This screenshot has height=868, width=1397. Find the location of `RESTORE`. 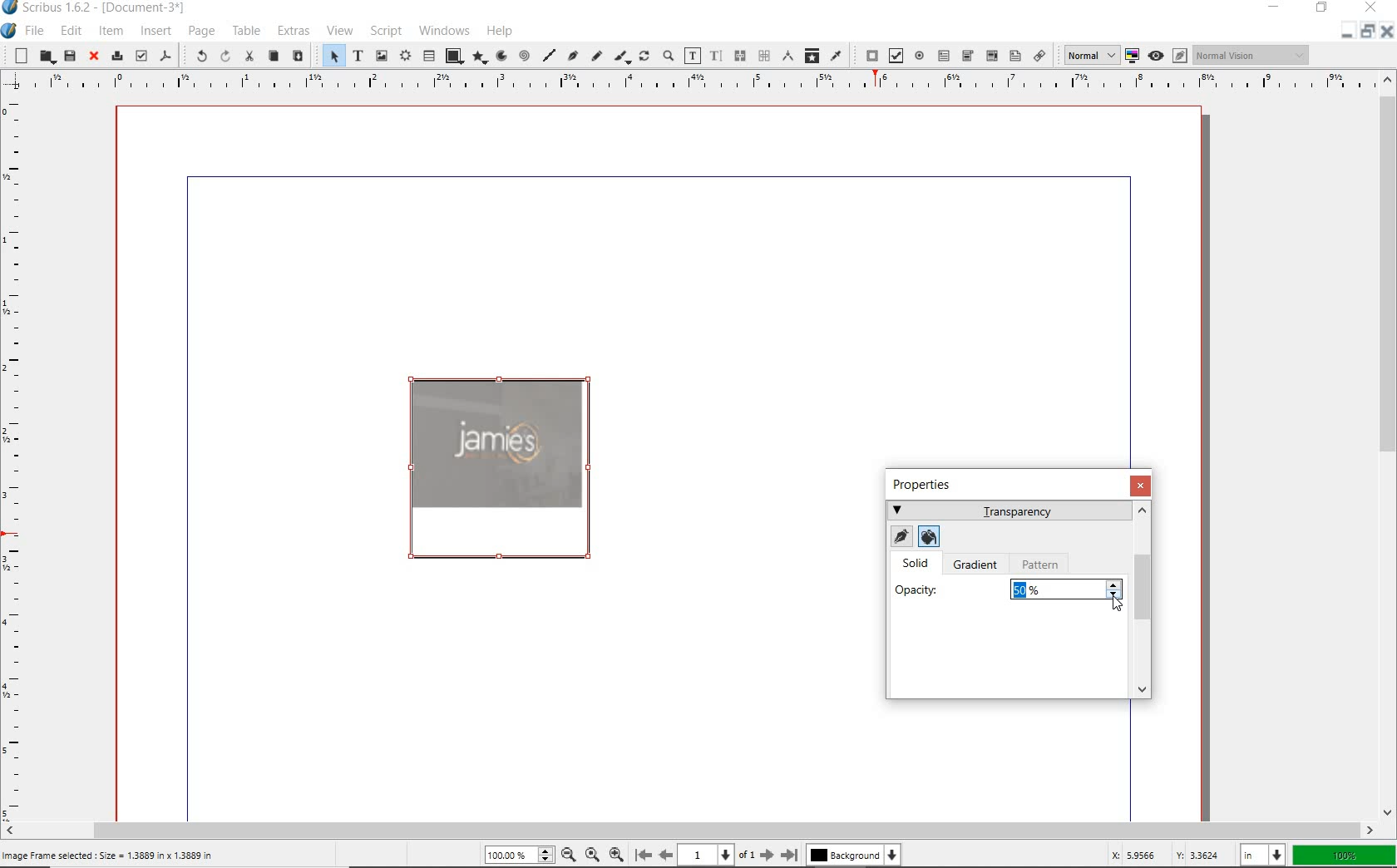

RESTORE is located at coordinates (1322, 8).